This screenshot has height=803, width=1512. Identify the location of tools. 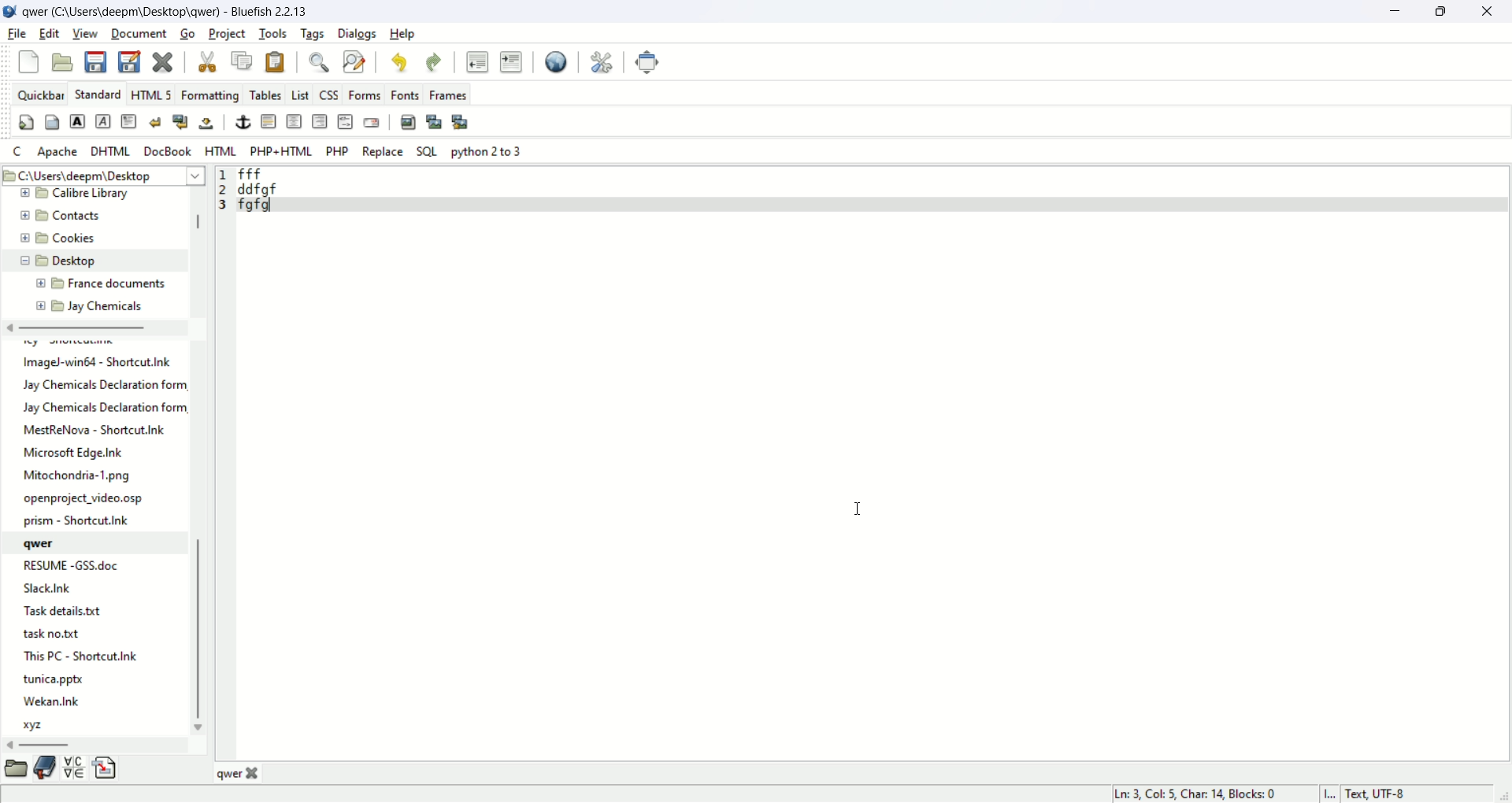
(272, 34).